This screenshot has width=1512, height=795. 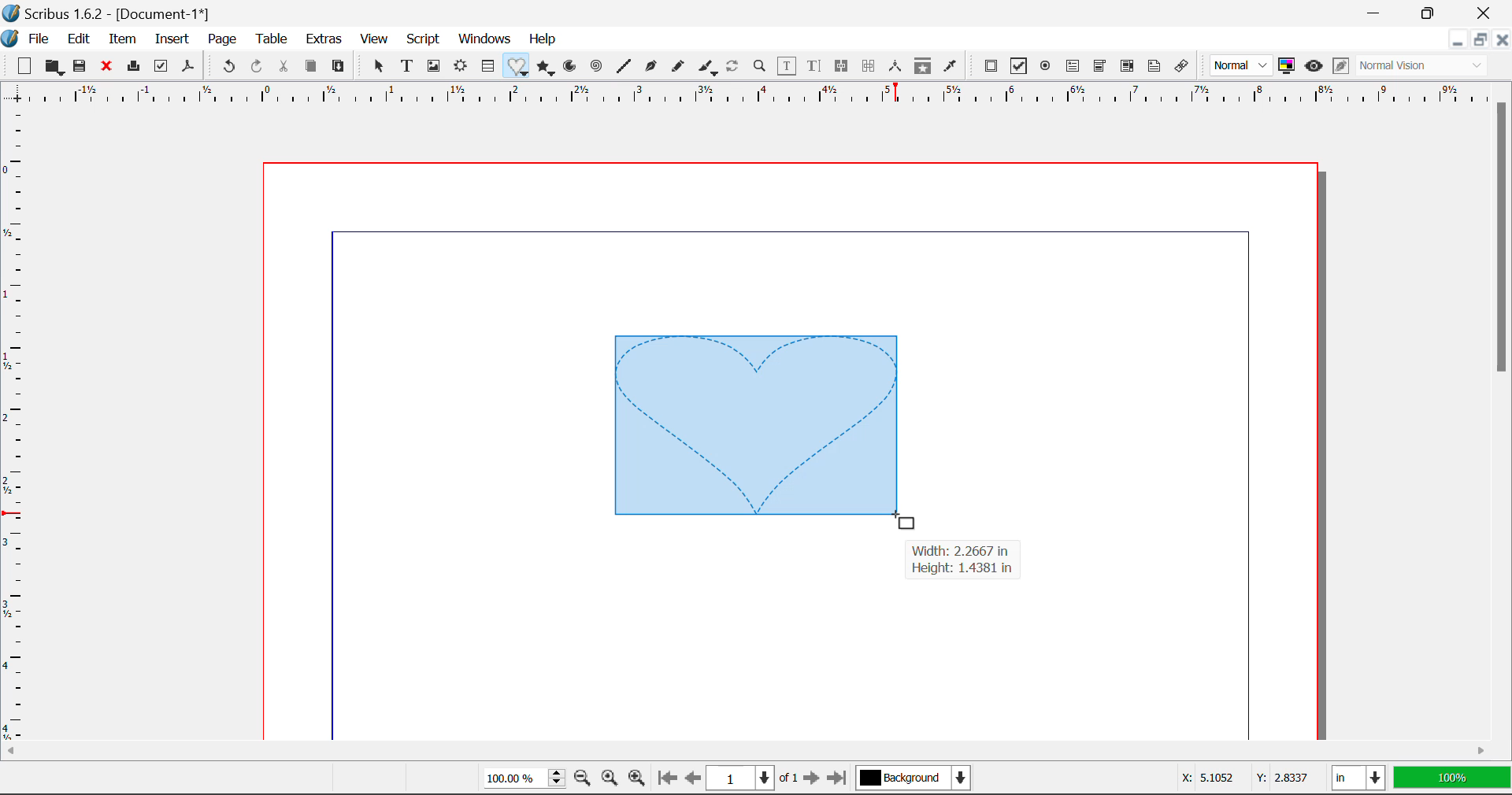 What do you see at coordinates (972, 562) in the screenshot?
I see `Width: 2.2667 in Height: 1.4381 in` at bounding box center [972, 562].